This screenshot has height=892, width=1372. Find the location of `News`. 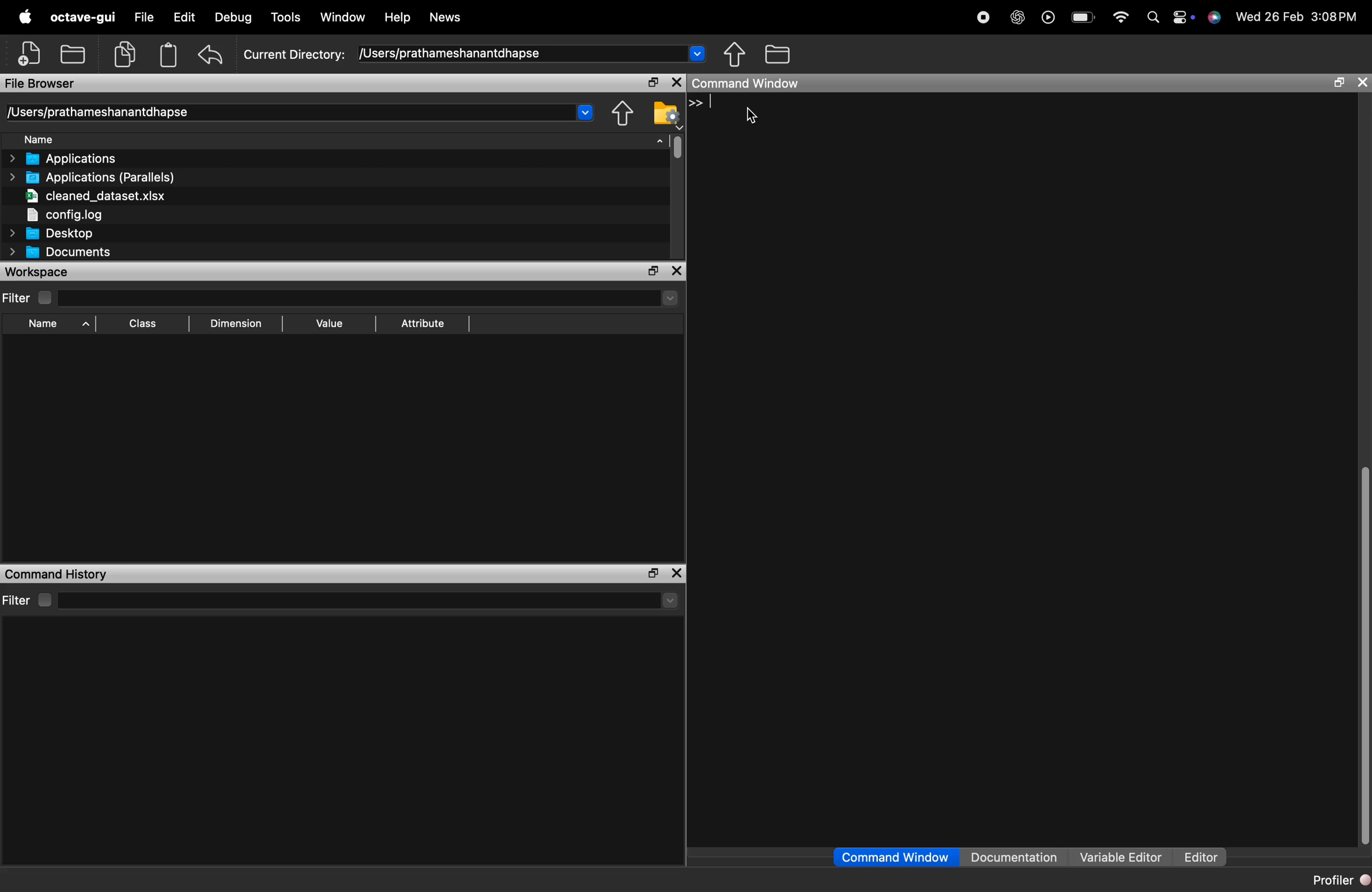

News is located at coordinates (443, 18).